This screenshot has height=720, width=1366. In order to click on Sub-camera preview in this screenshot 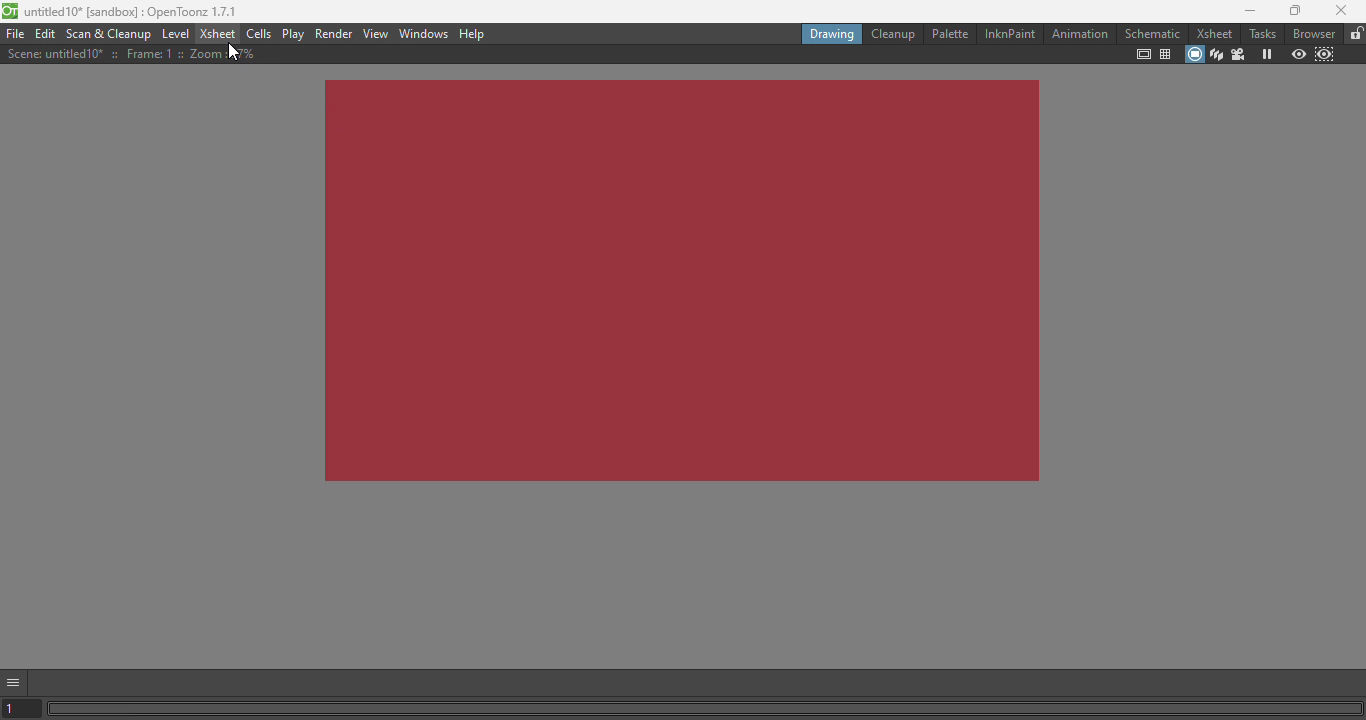, I will do `click(1325, 55)`.